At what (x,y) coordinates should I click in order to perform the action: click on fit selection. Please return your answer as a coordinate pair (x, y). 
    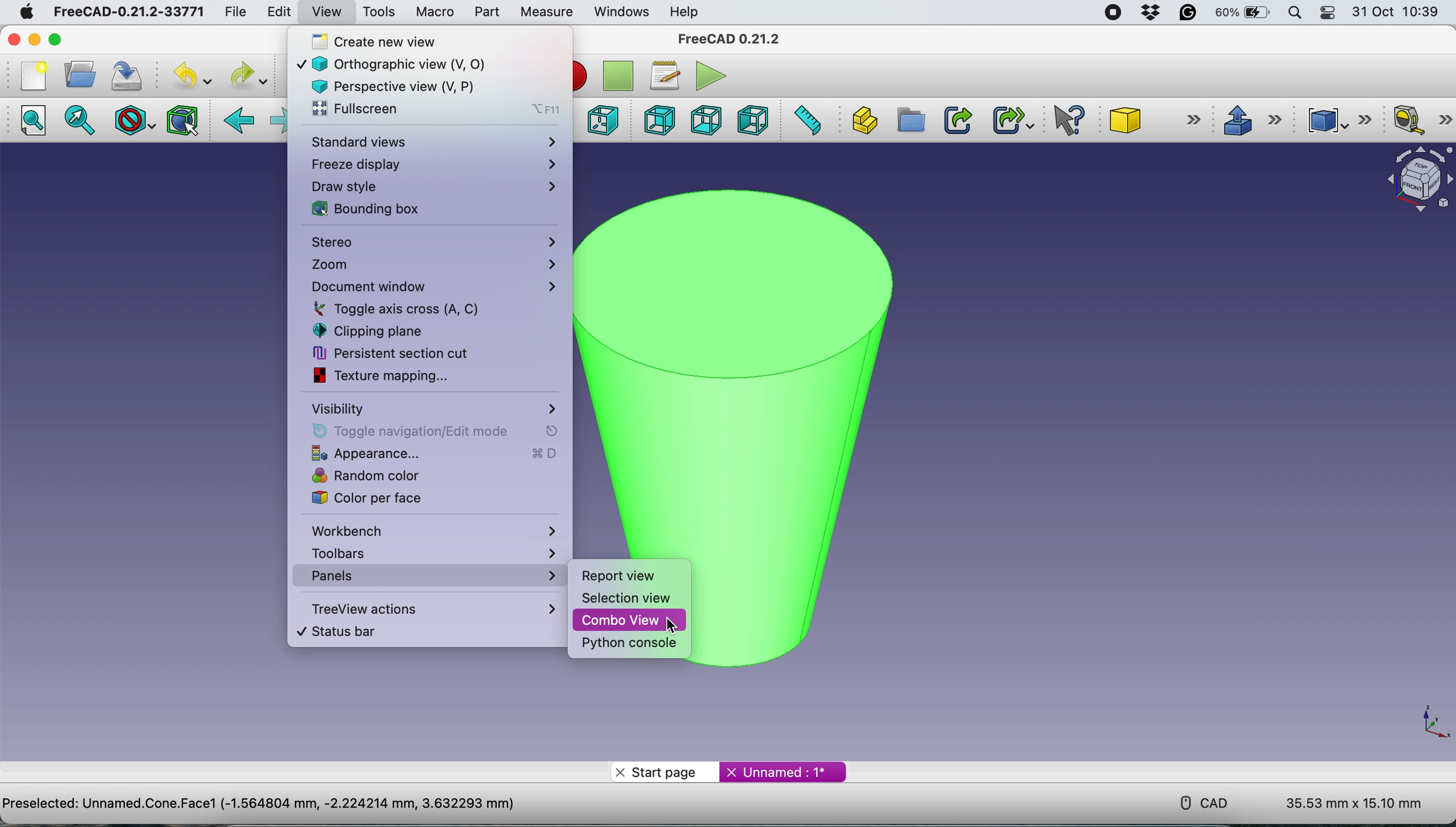
    Looking at the image, I should click on (83, 121).